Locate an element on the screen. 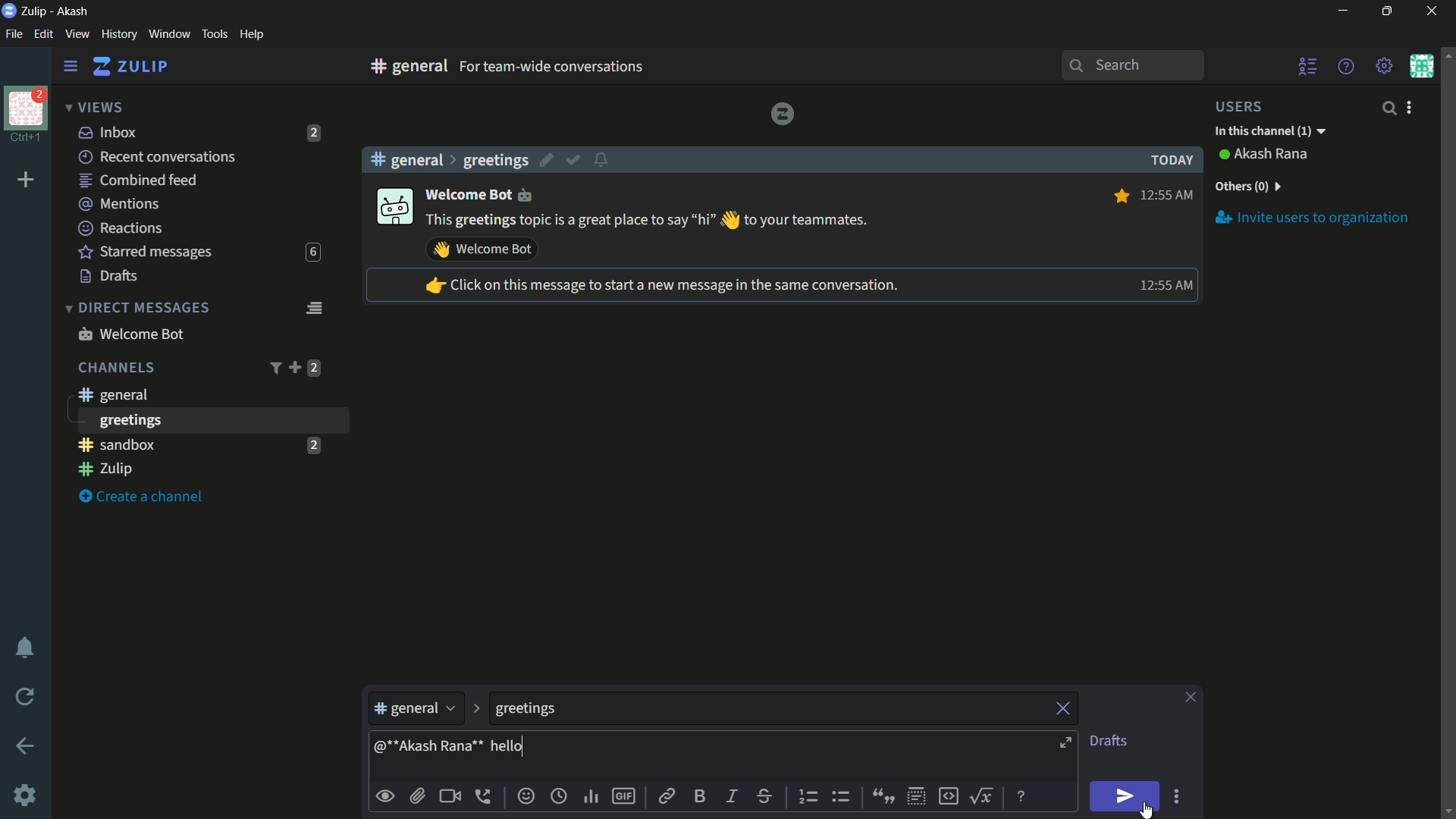 This screenshot has width=1456, height=819. reactions is located at coordinates (120, 227).